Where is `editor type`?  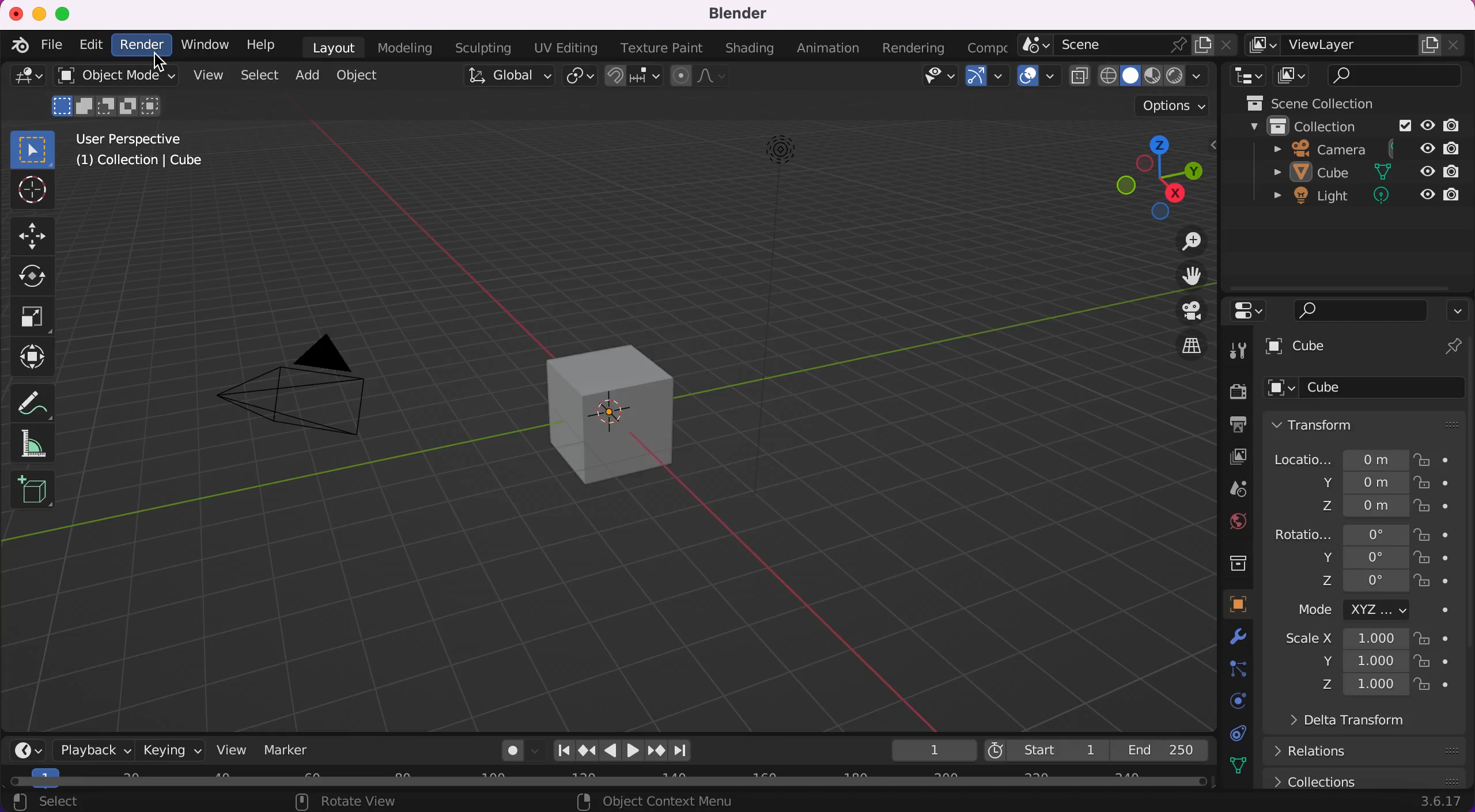
editor type is located at coordinates (23, 81).